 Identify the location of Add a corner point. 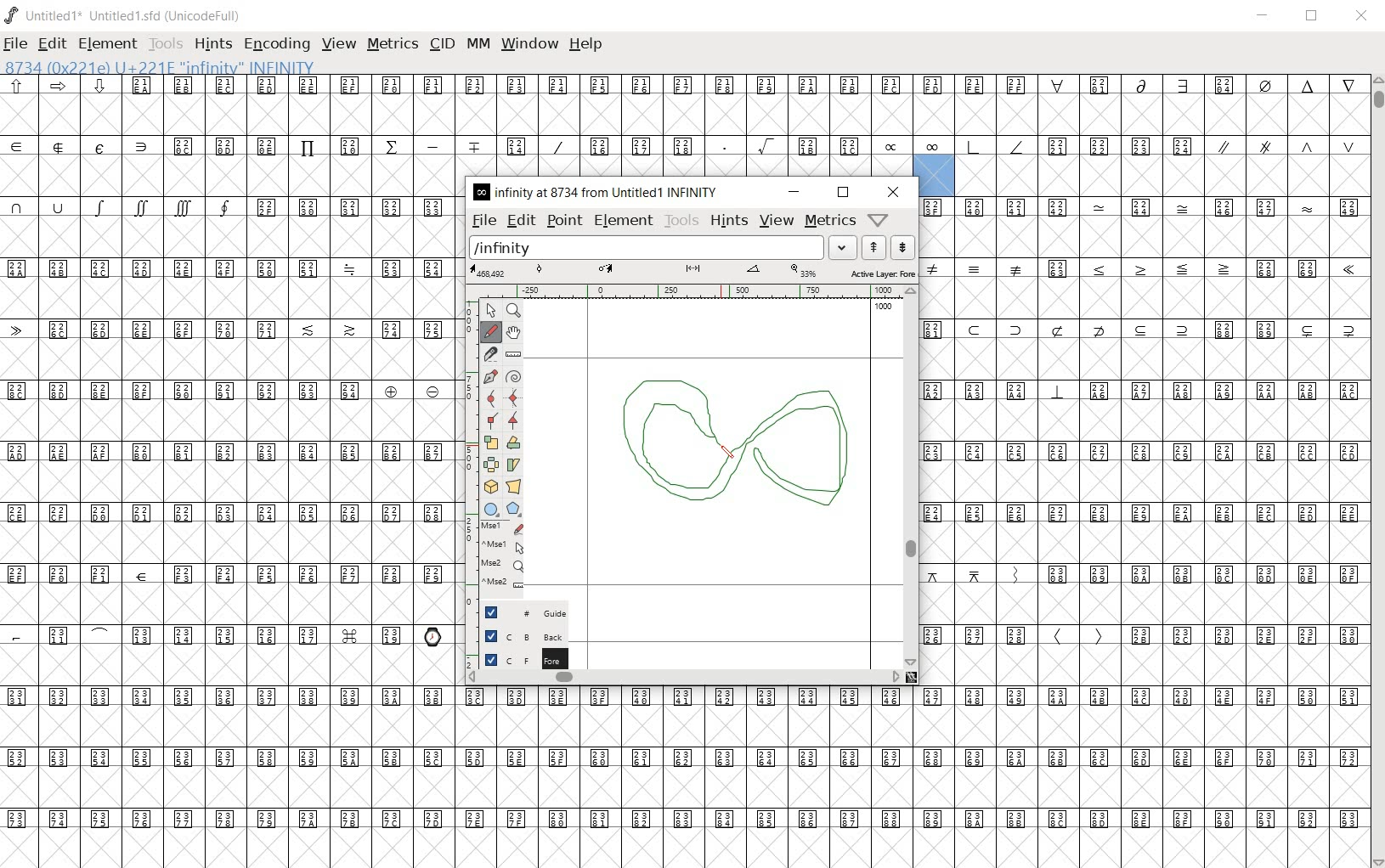
(513, 420).